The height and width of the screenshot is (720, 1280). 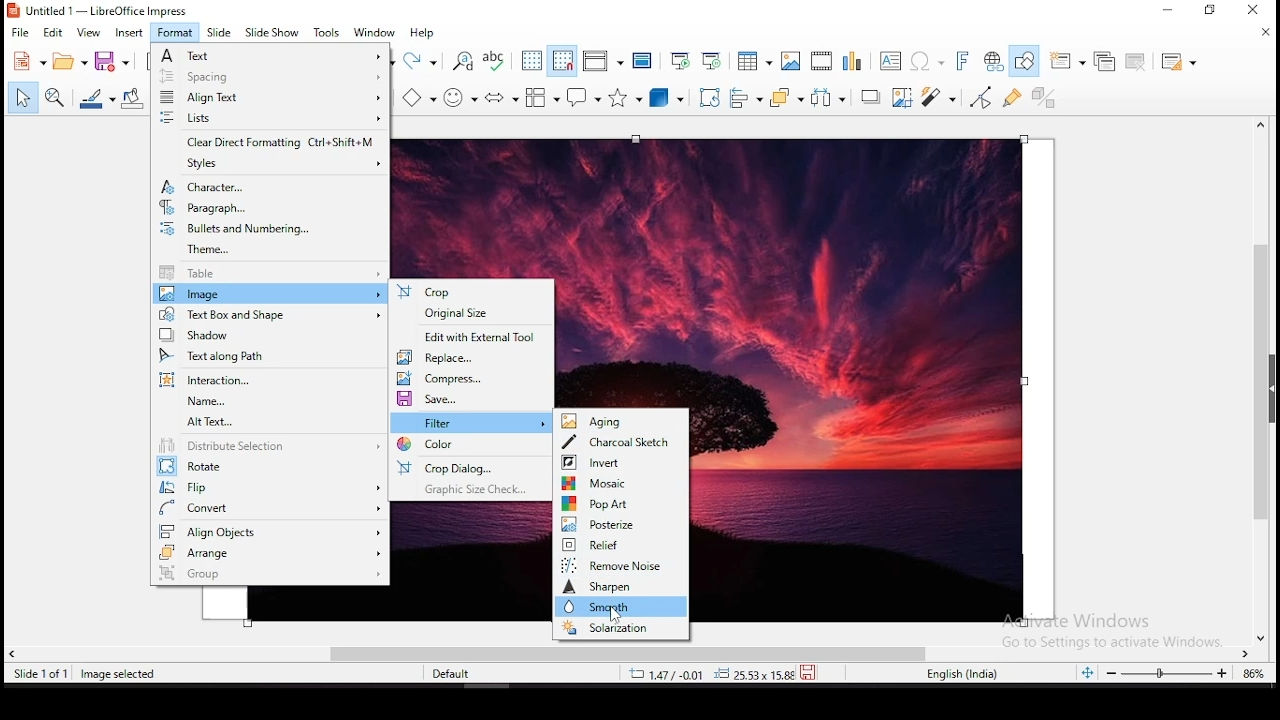 I want to click on crop, so click(x=472, y=292).